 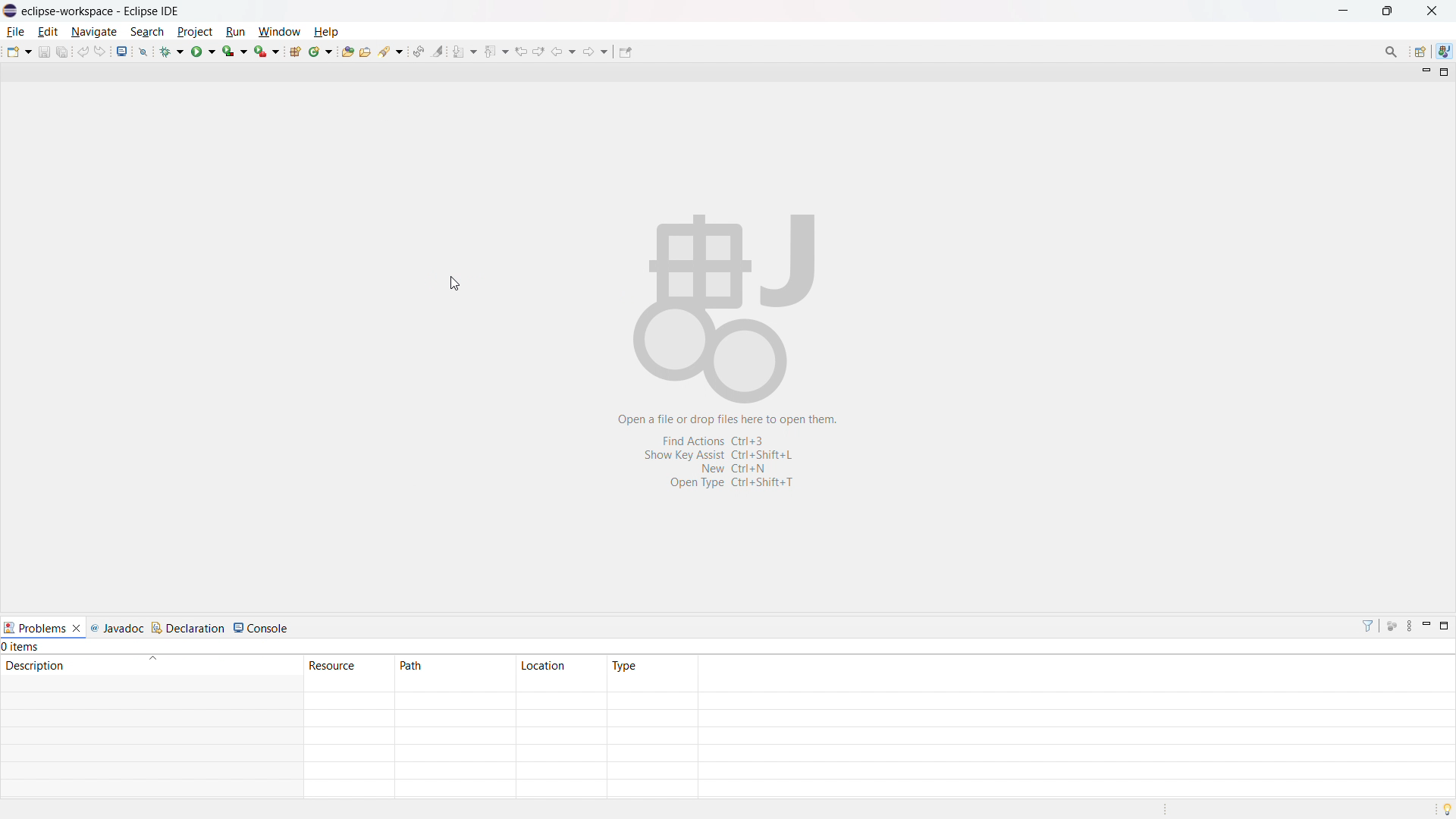 What do you see at coordinates (151, 666) in the screenshot?
I see `description` at bounding box center [151, 666].